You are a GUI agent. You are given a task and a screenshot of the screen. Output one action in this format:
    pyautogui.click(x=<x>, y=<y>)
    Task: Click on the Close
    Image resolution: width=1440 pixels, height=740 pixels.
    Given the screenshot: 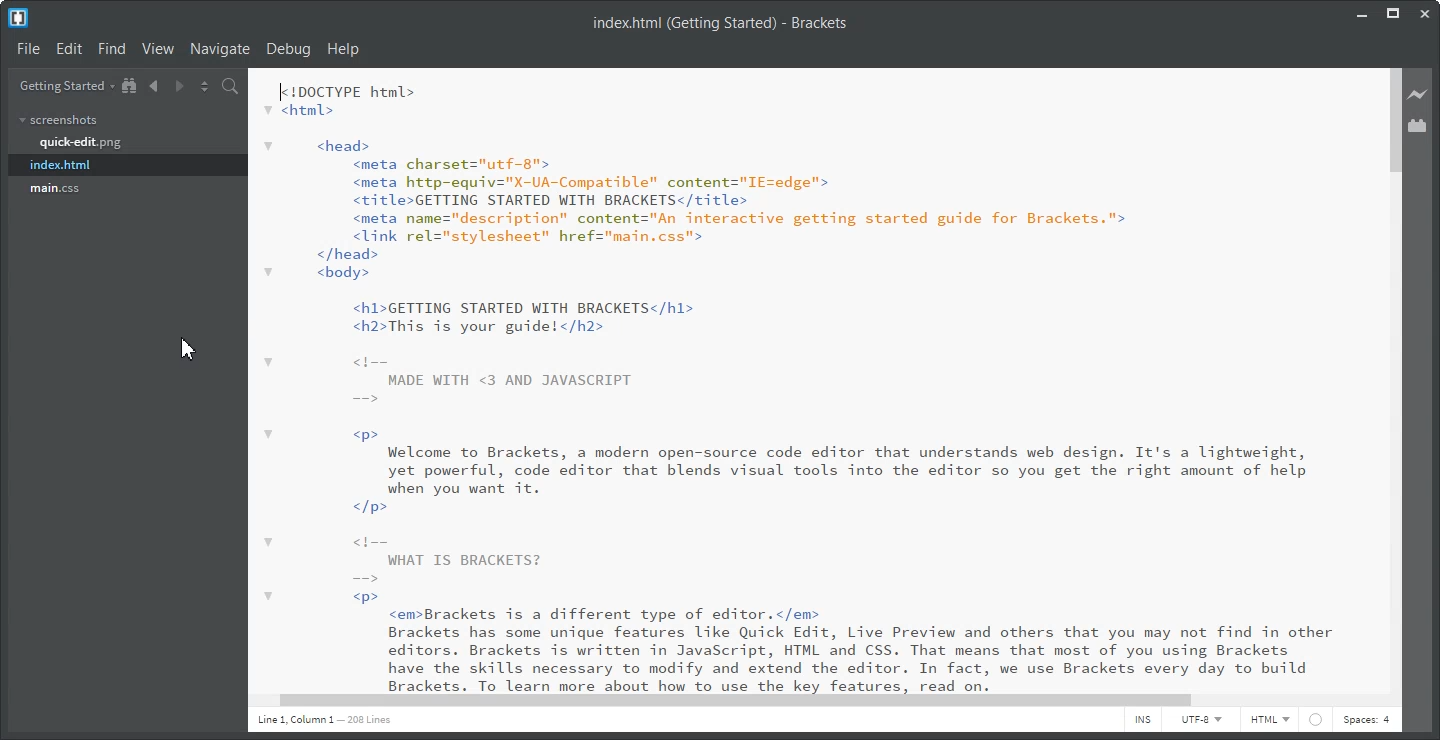 What is the action you would take?
    pyautogui.click(x=1425, y=13)
    